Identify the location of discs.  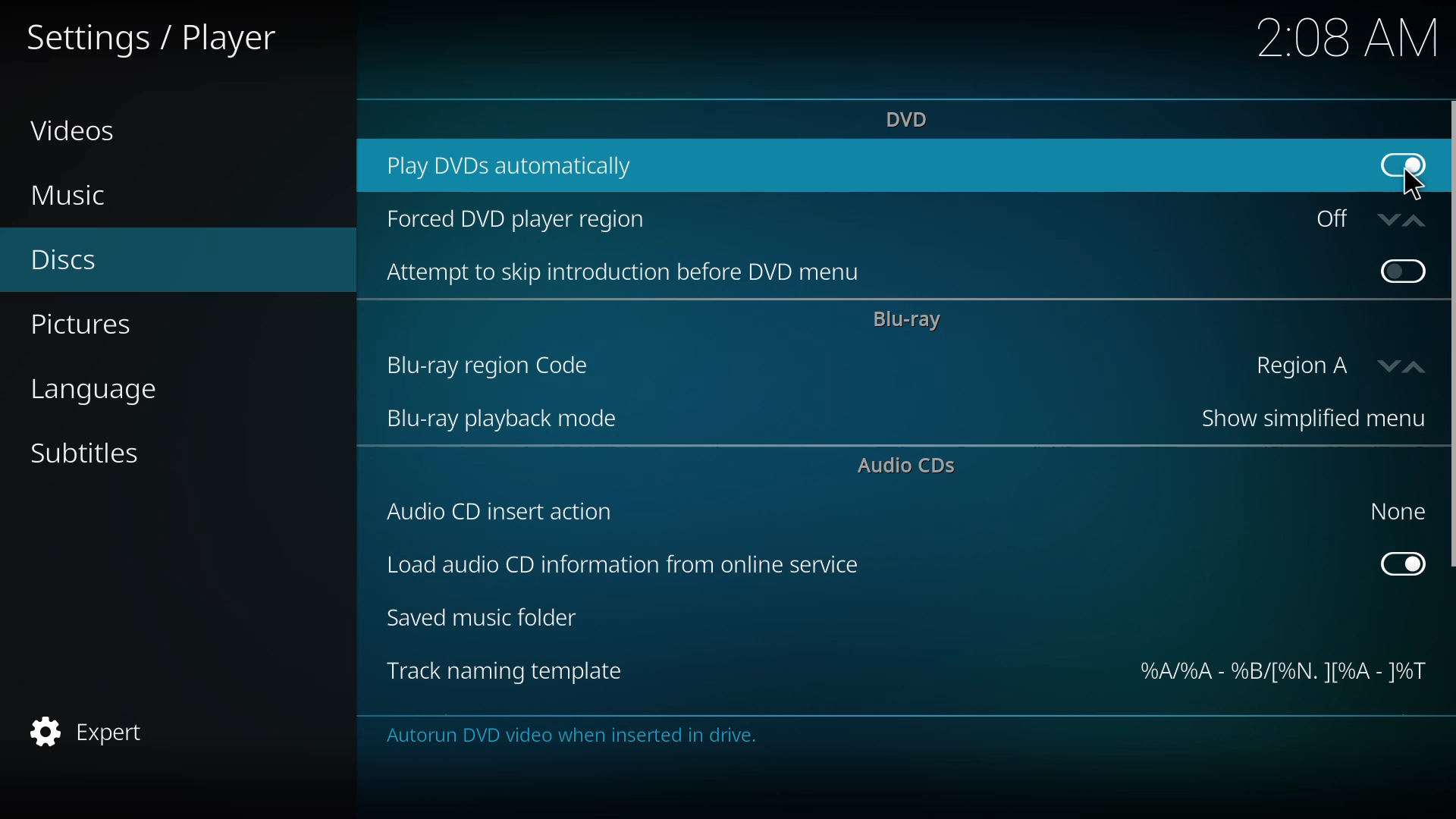
(64, 262).